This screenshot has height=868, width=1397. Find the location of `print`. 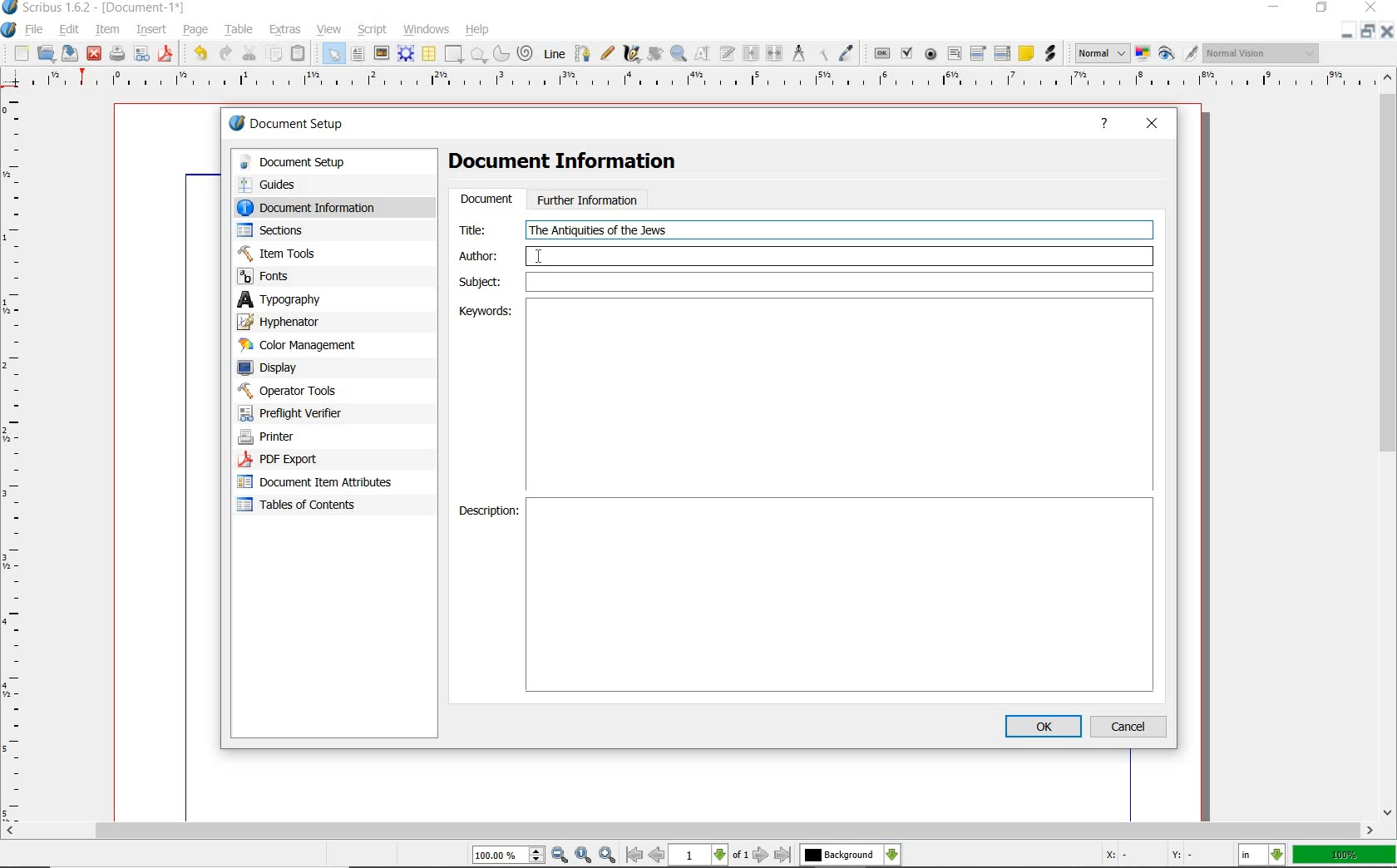

print is located at coordinates (117, 55).